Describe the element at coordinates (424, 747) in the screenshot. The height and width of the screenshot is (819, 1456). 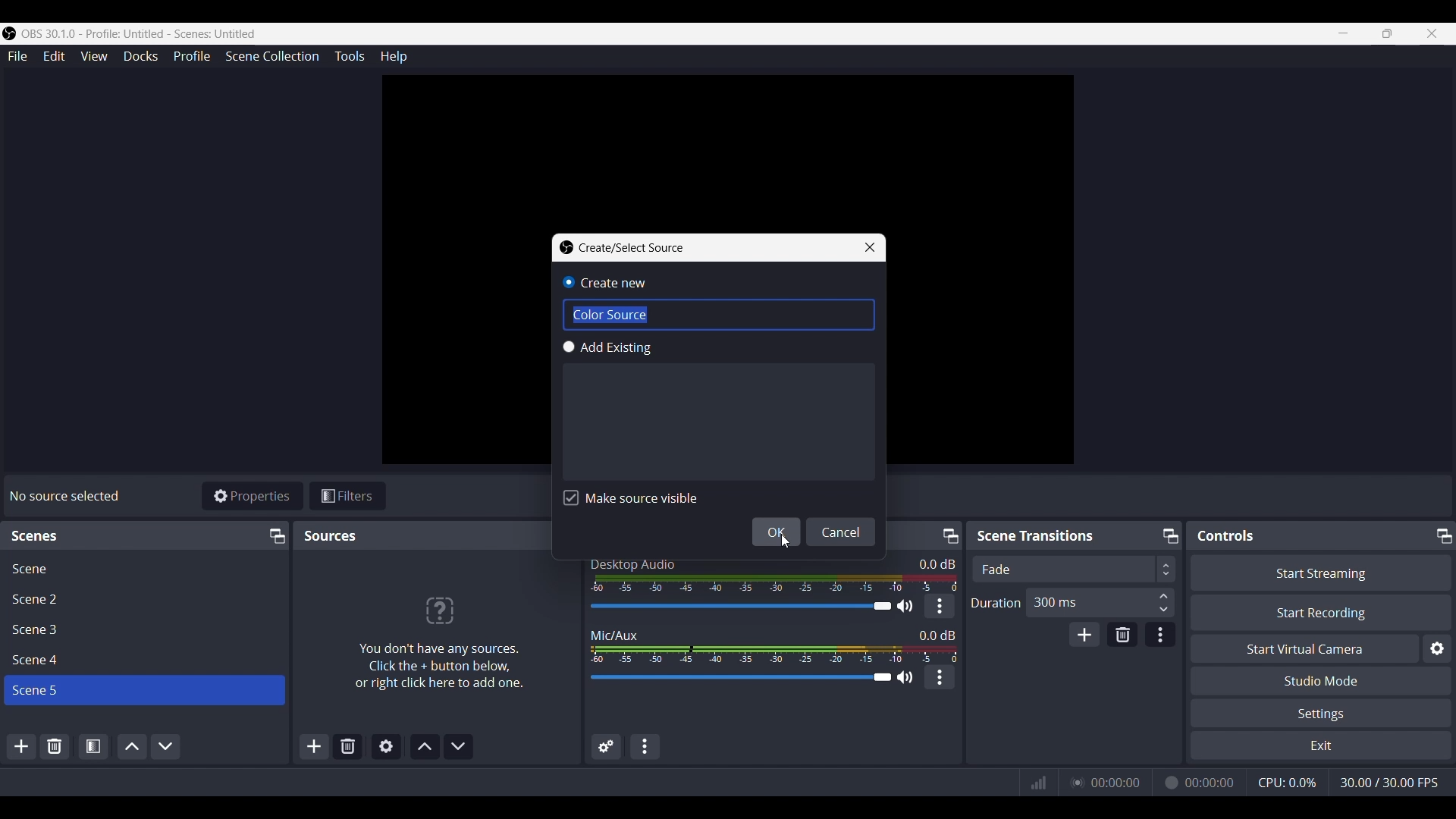
I see `Move Sources Up ` at that location.